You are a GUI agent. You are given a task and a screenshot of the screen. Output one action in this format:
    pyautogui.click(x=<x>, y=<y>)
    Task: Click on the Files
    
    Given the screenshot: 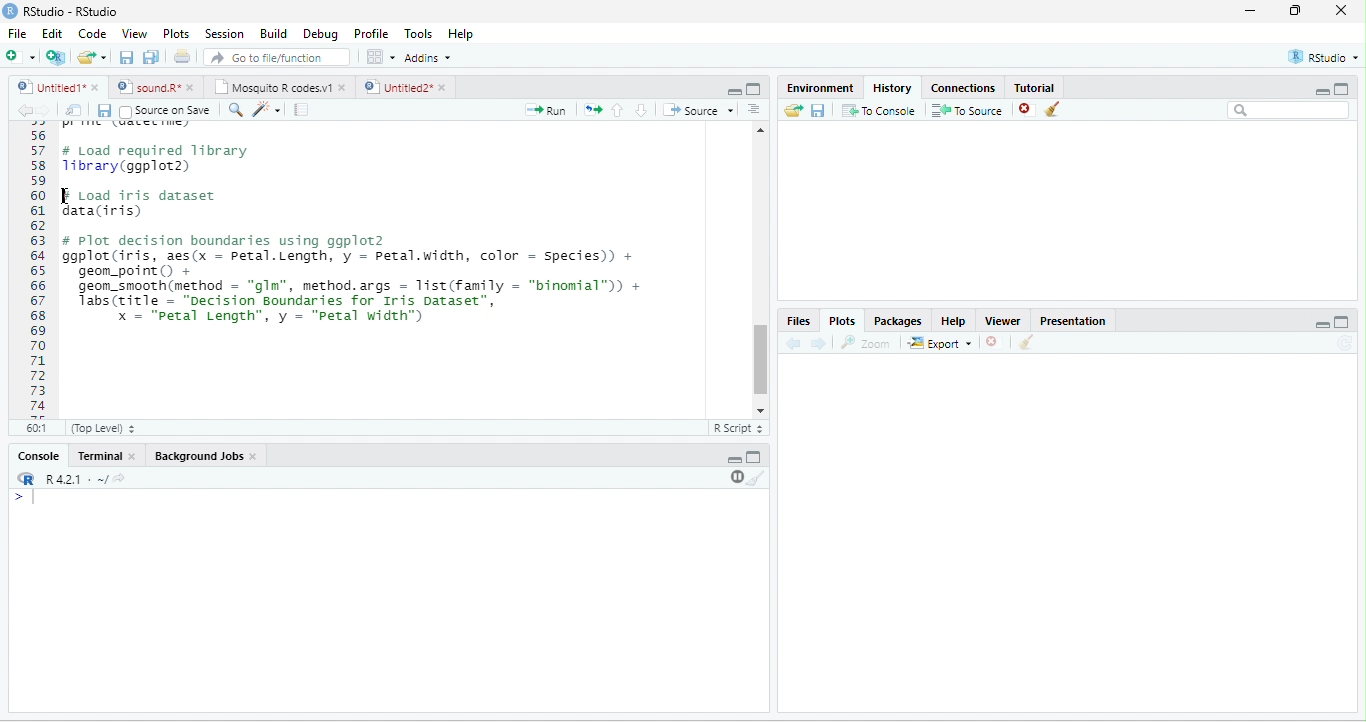 What is the action you would take?
    pyautogui.click(x=797, y=322)
    